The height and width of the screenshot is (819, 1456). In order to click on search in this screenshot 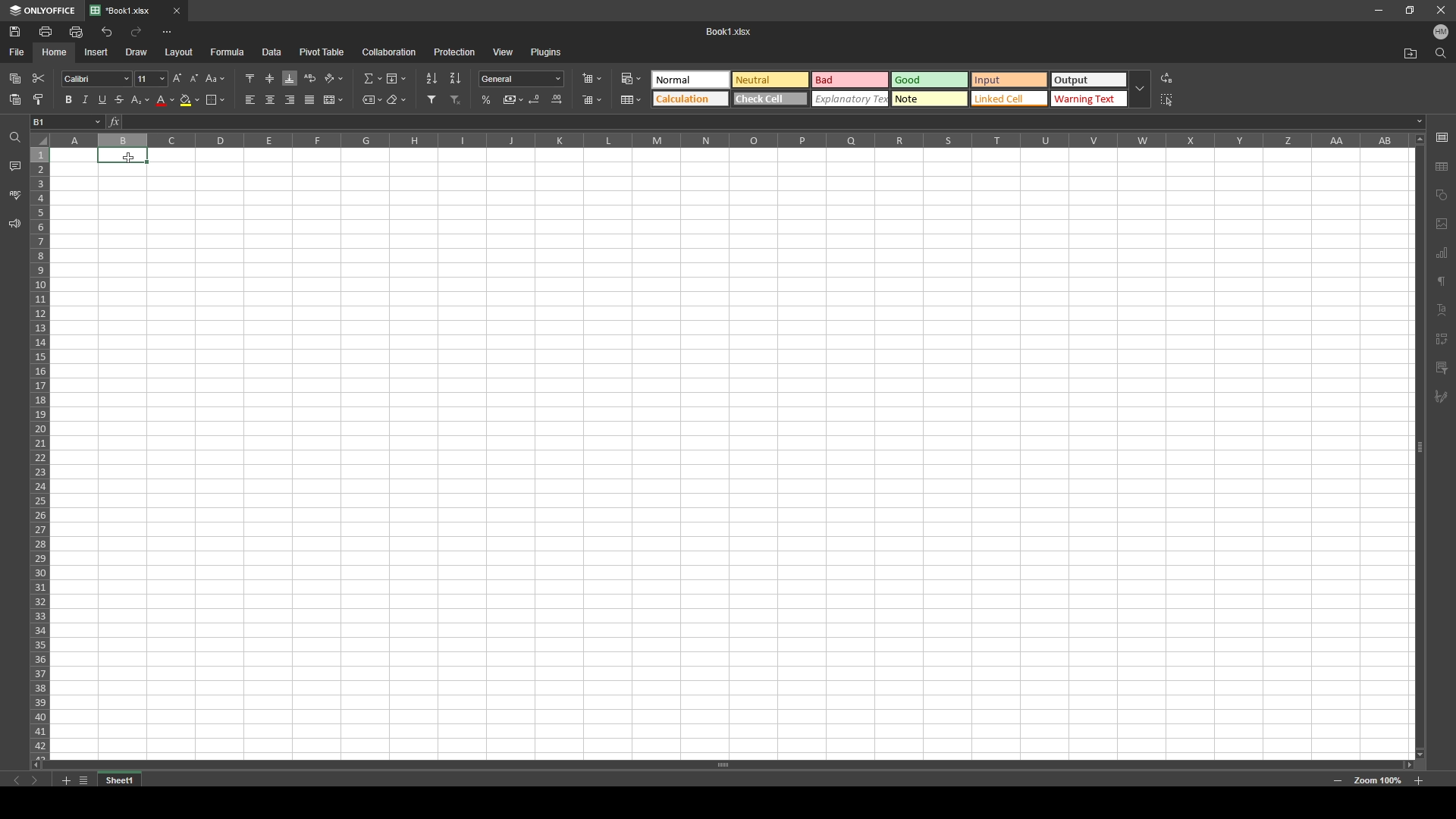, I will do `click(13, 139)`.